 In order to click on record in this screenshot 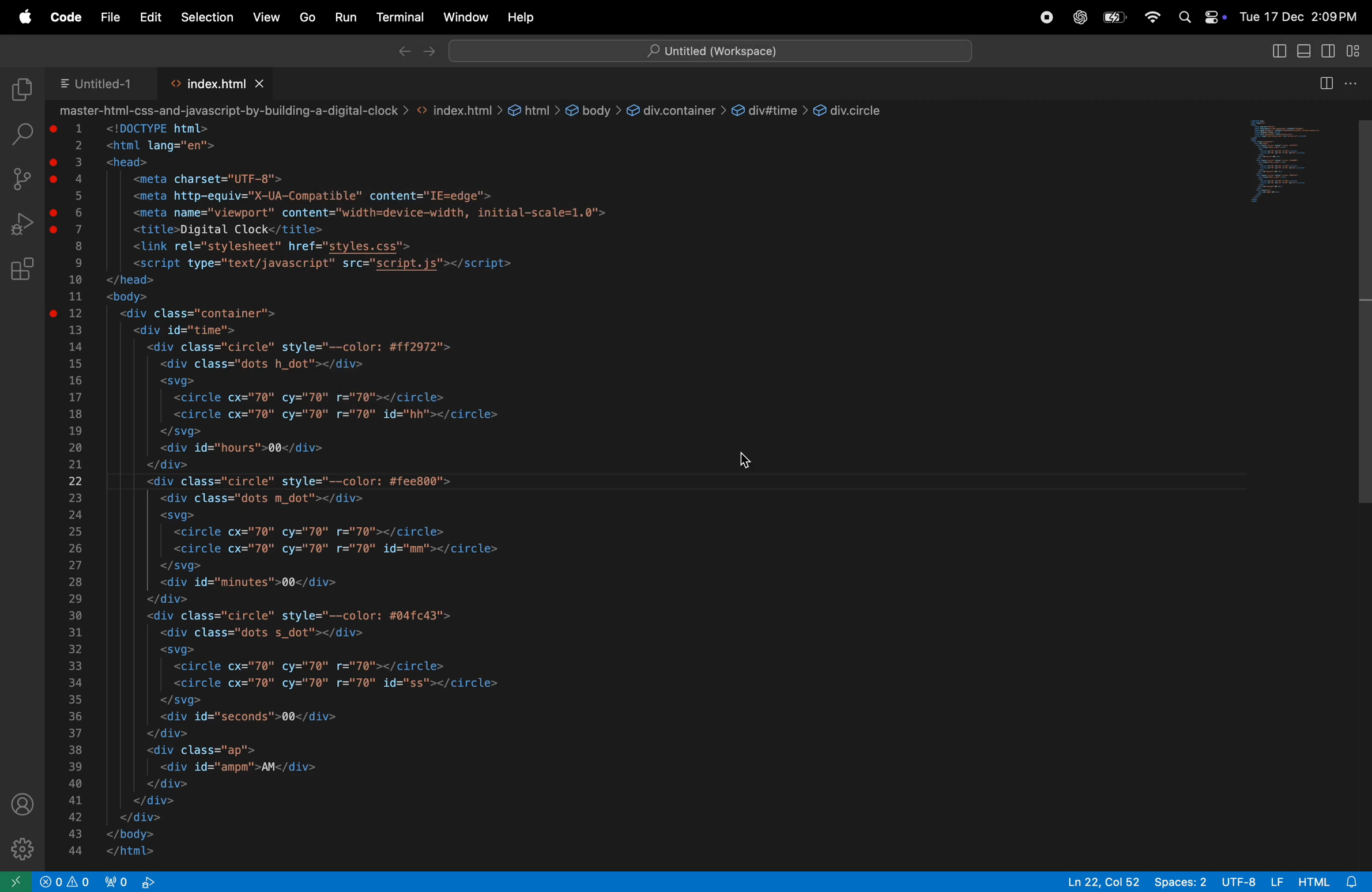, I will do `click(1041, 18)`.